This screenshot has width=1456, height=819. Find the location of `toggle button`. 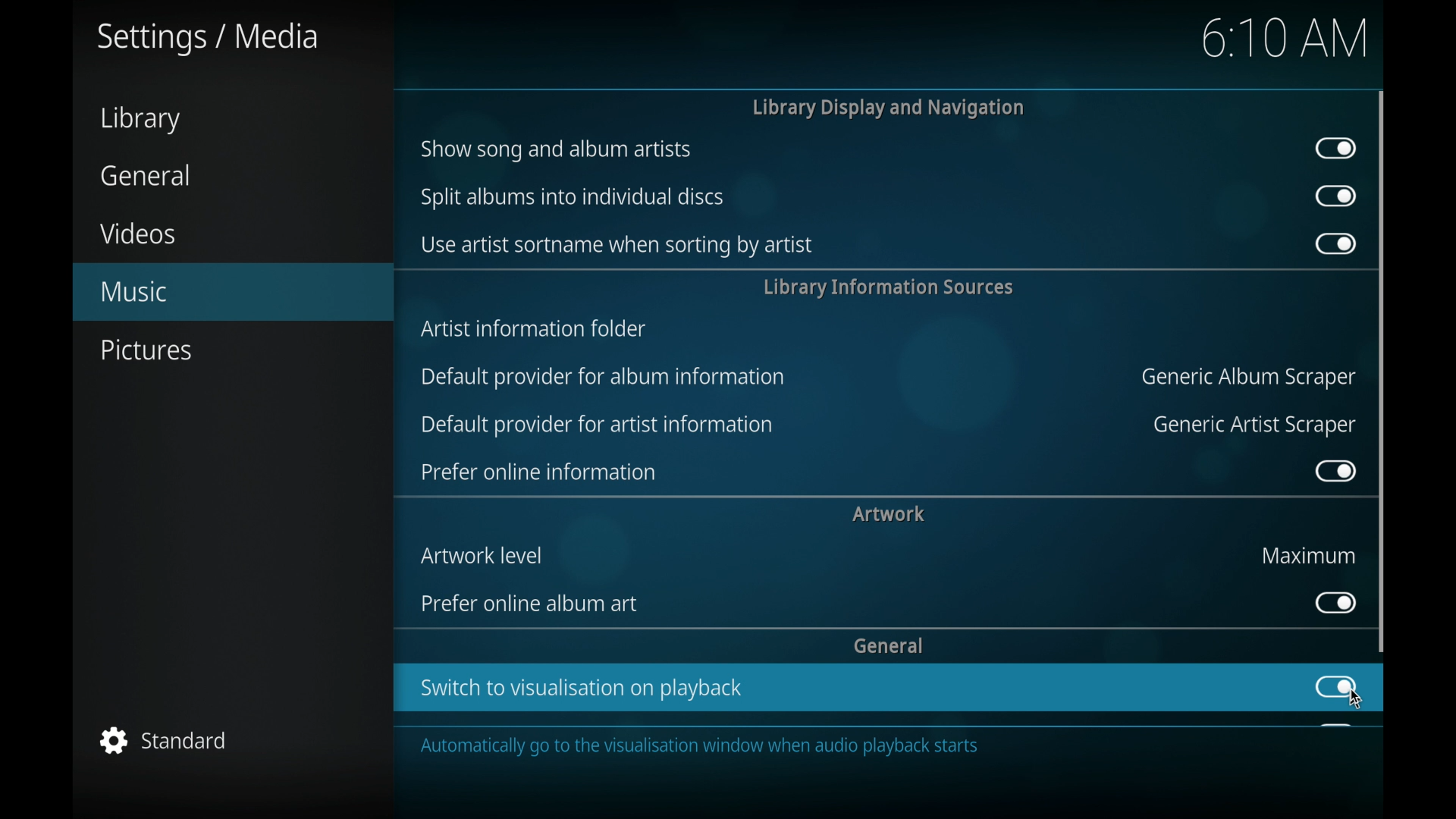

toggle button is located at coordinates (1337, 196).